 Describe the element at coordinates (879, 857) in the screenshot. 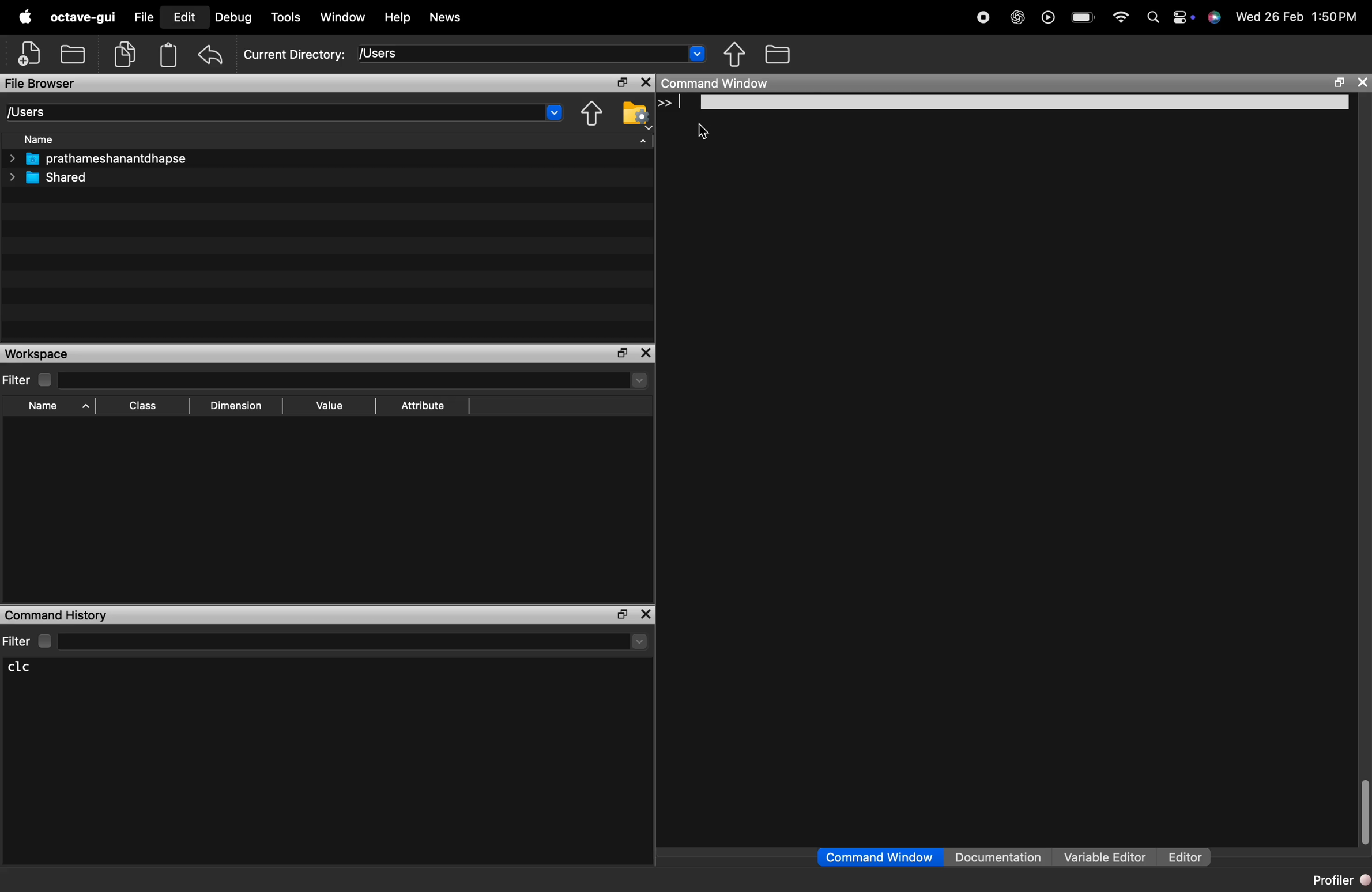

I see `Command Window` at that location.